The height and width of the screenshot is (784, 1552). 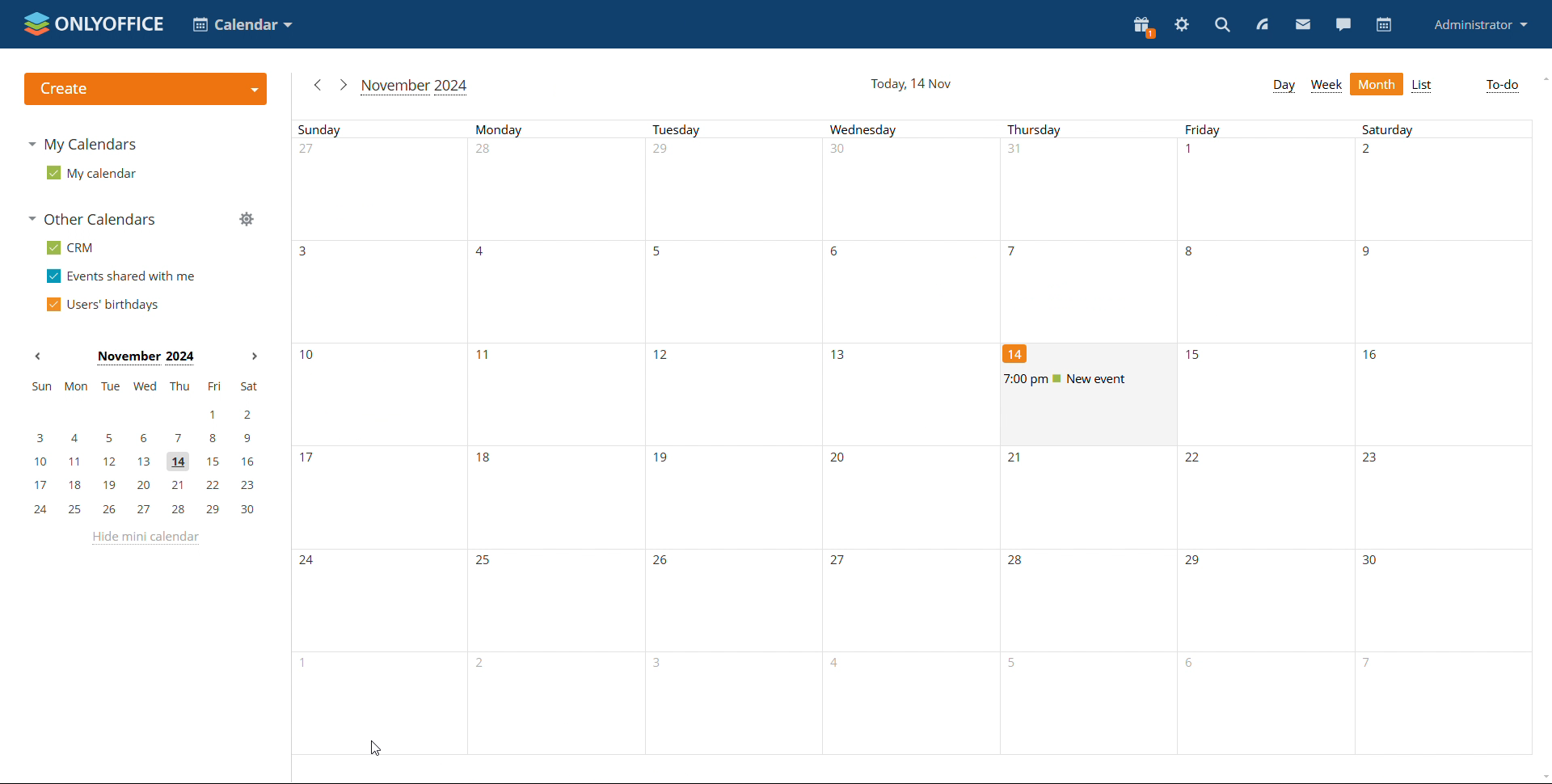 I want to click on number, so click(x=660, y=251).